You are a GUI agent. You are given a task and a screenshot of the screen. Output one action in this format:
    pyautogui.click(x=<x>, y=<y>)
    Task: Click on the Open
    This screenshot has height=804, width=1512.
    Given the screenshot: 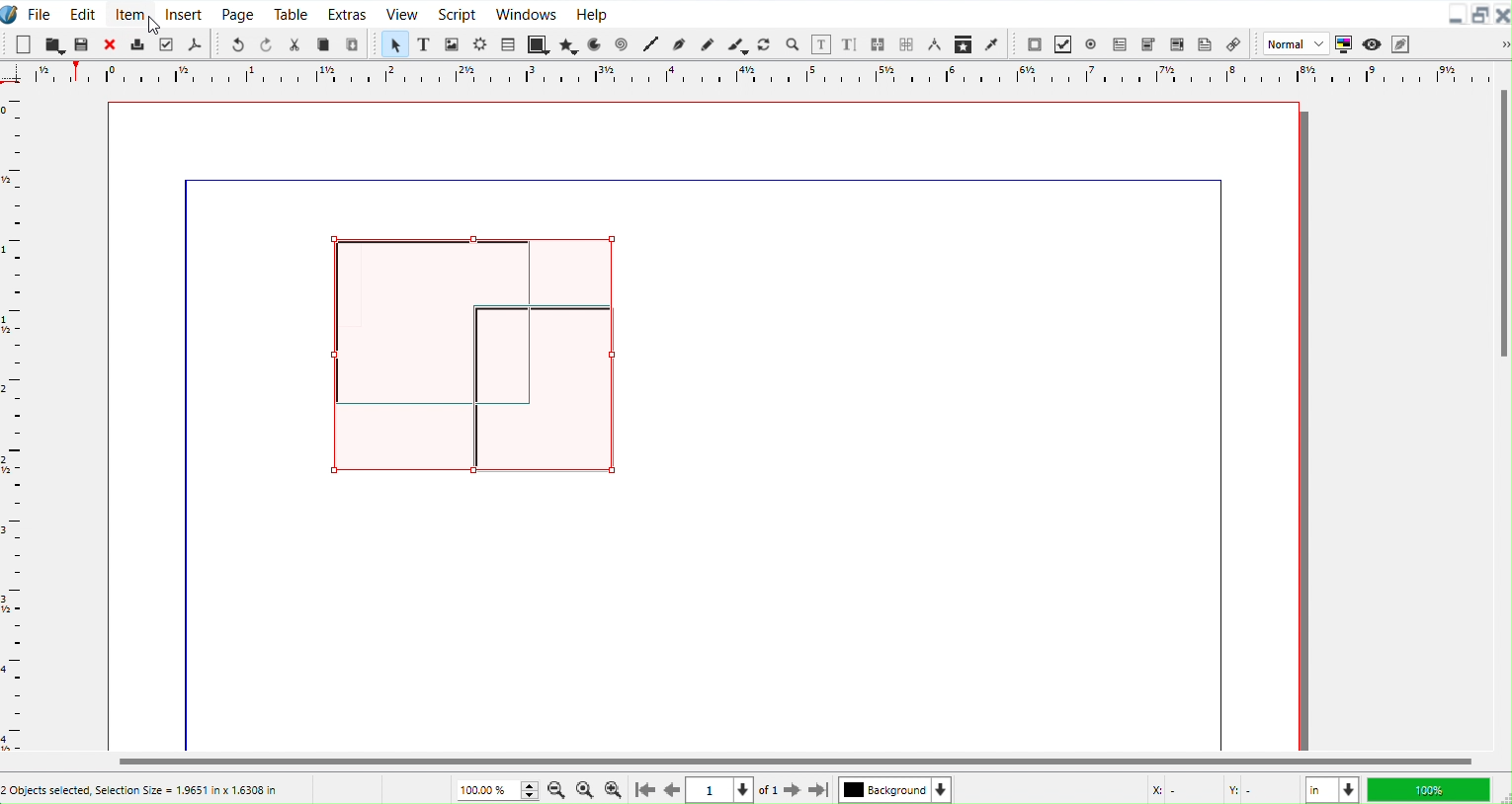 What is the action you would take?
    pyautogui.click(x=55, y=43)
    